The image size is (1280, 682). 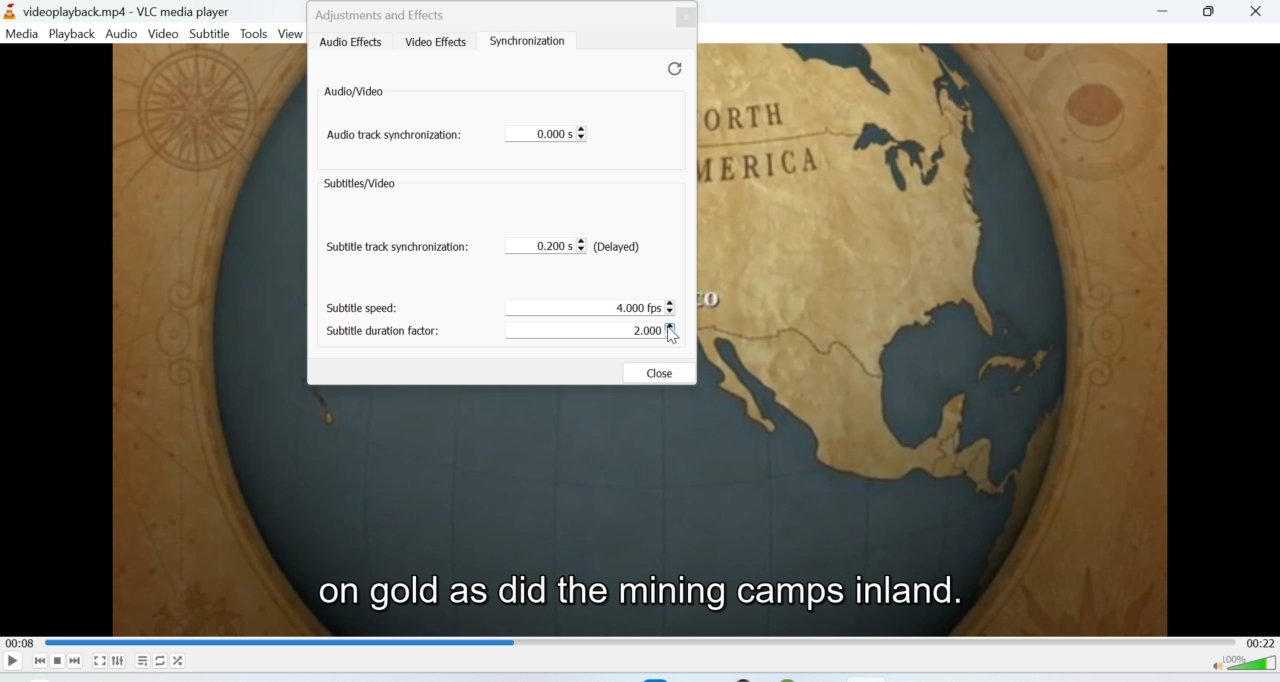 What do you see at coordinates (118, 661) in the screenshot?
I see `Extended settings` at bounding box center [118, 661].